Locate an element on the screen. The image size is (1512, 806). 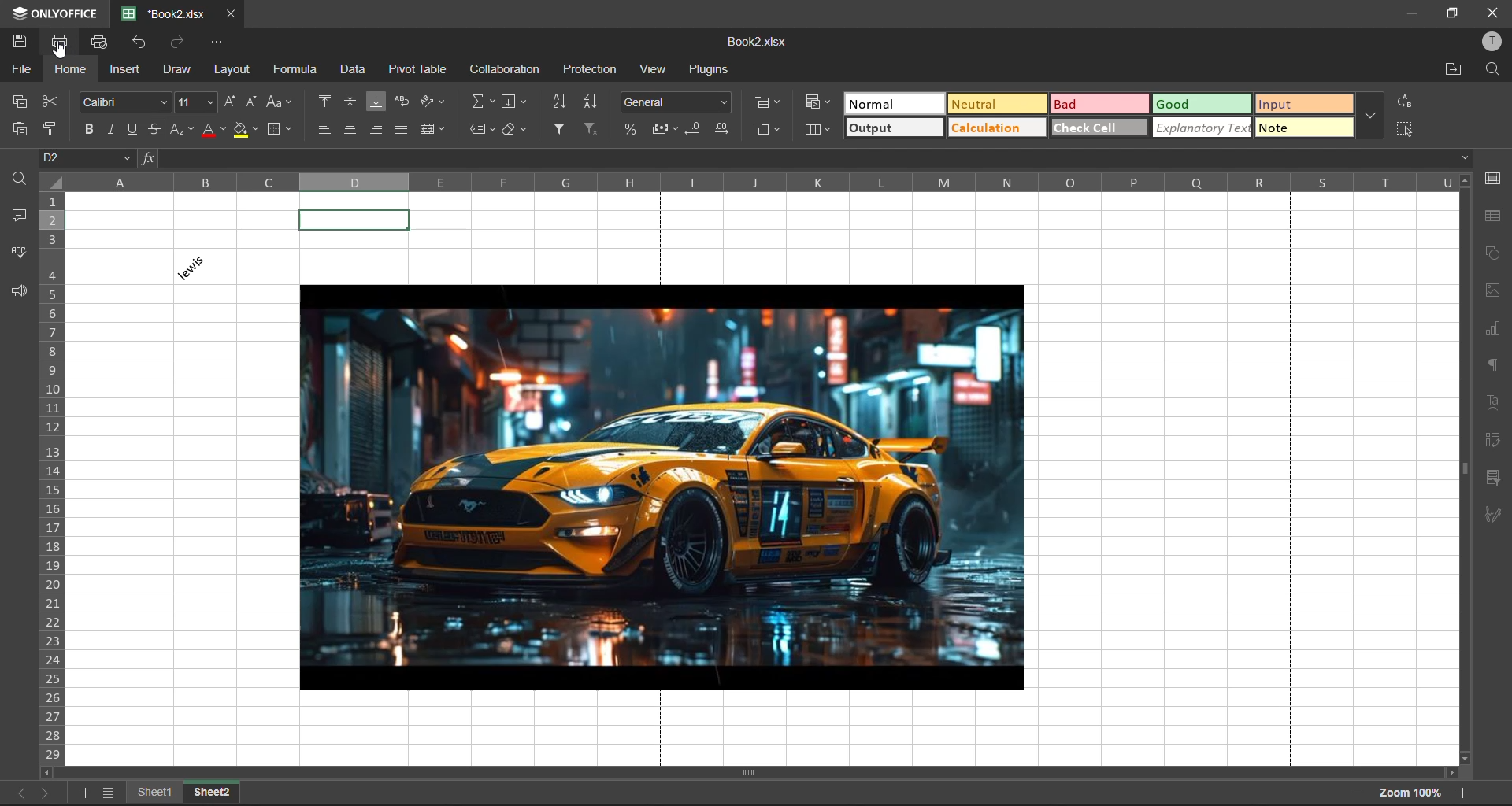
format as table is located at coordinates (816, 131).